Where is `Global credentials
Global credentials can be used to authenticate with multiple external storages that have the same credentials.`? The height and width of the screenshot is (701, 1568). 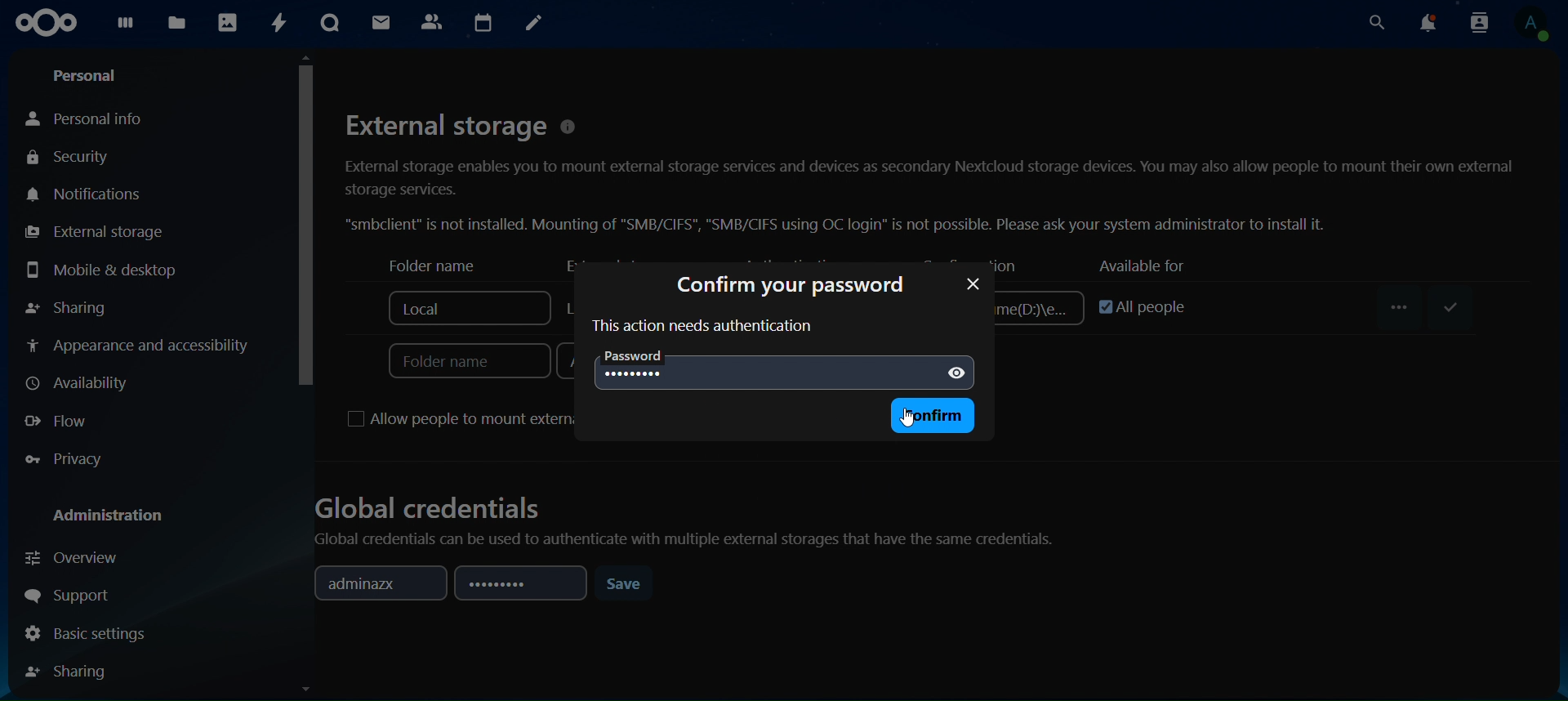 Global credentials
Global credentials can be used to authenticate with multiple external storages that have the same credentials. is located at coordinates (688, 522).